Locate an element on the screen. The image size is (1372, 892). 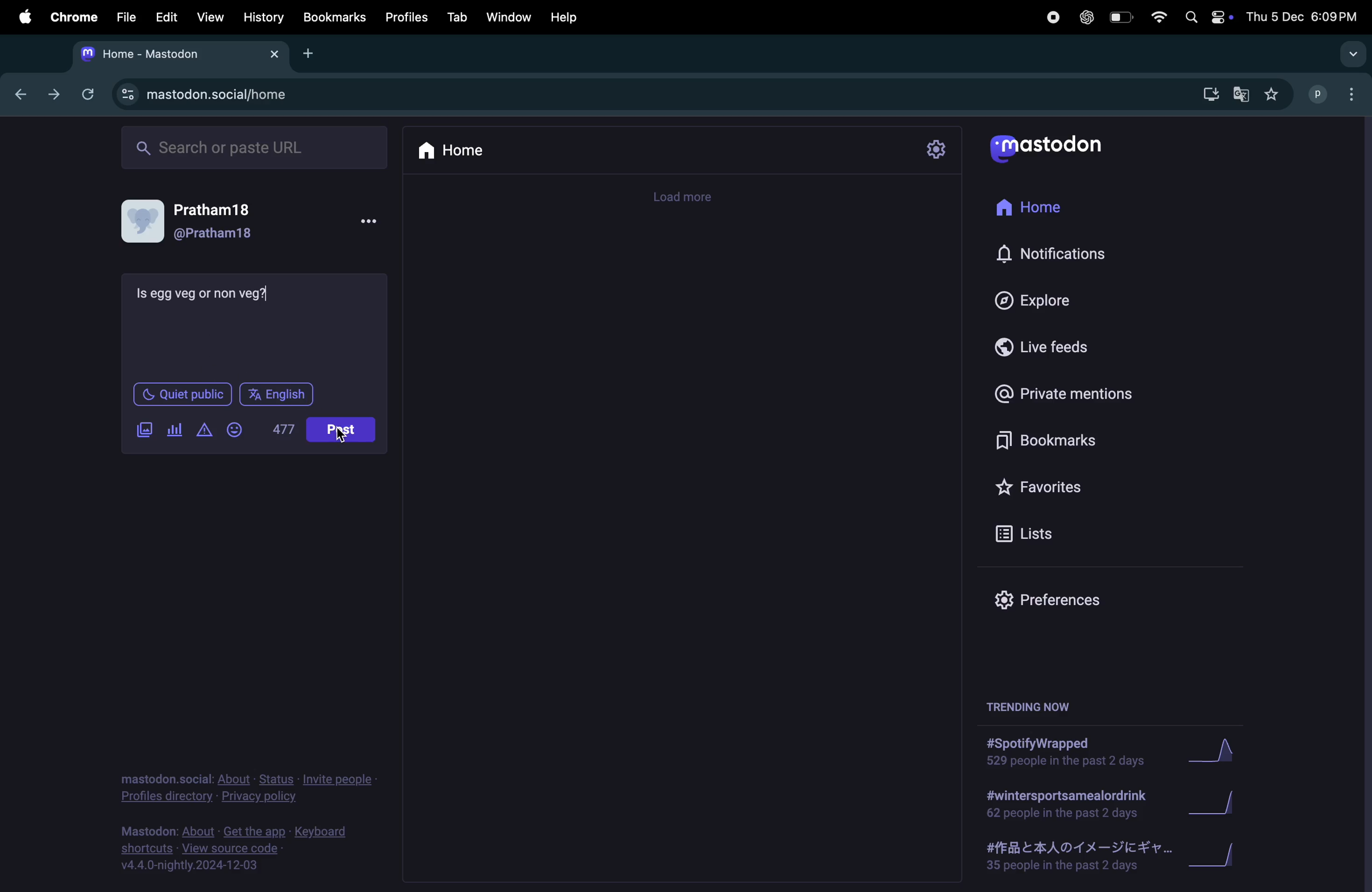
#spotifywrapped is located at coordinates (1069, 752).